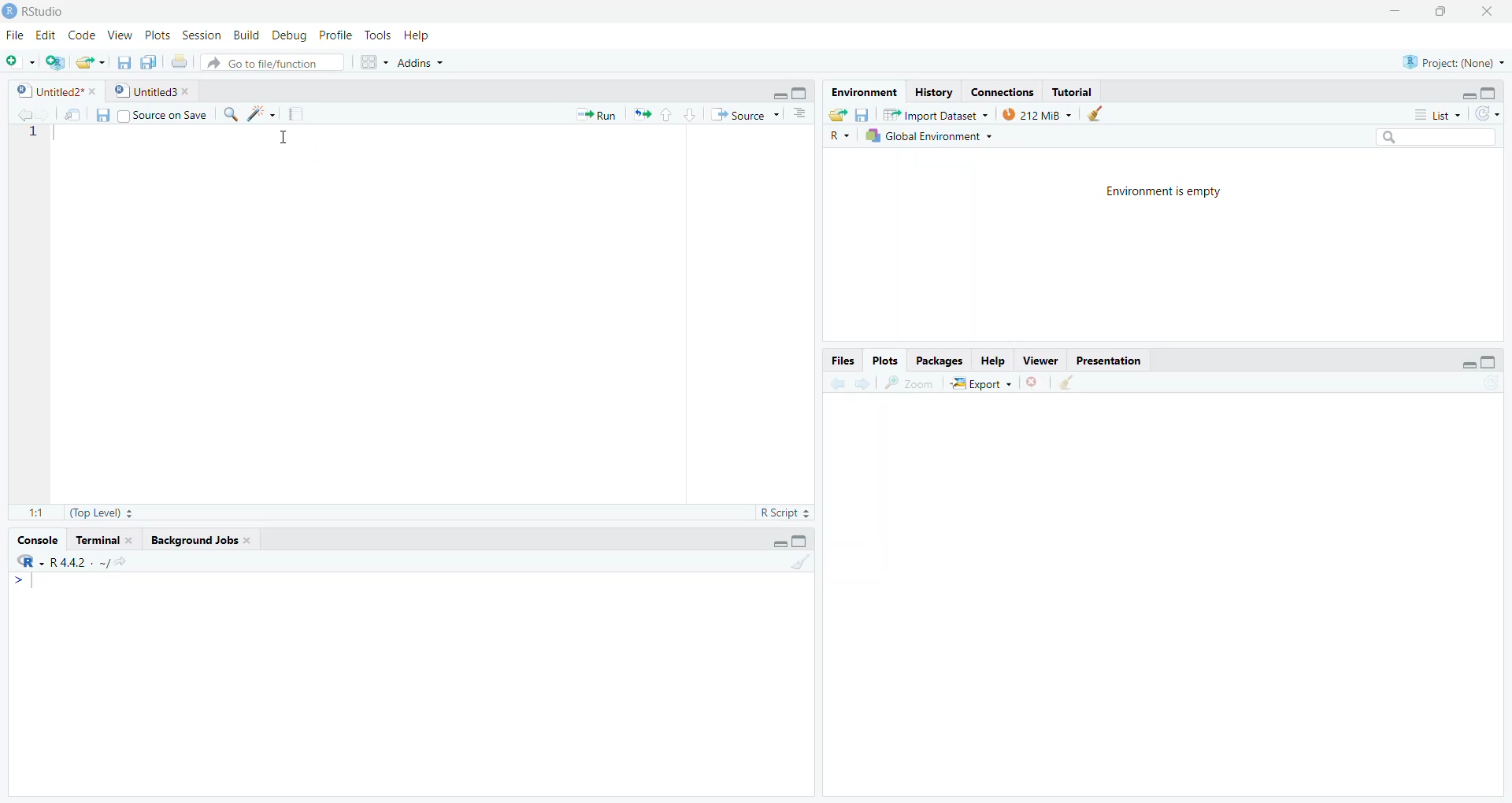 Image resolution: width=1512 pixels, height=803 pixels. What do you see at coordinates (164, 115) in the screenshot?
I see `source on save` at bounding box center [164, 115].